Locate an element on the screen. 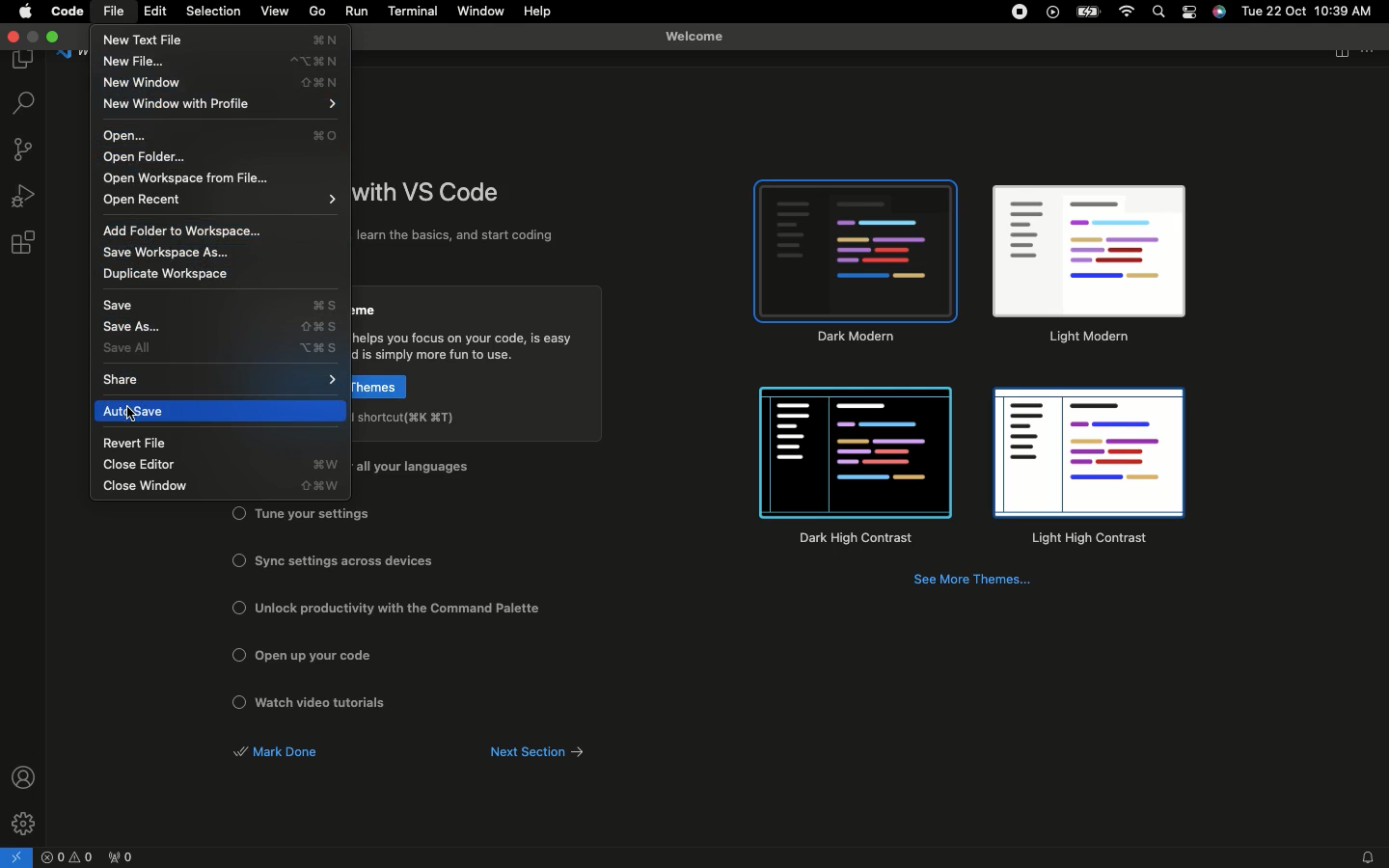 Image resolution: width=1389 pixels, height=868 pixels. VSCode extension is located at coordinates (1052, 14).